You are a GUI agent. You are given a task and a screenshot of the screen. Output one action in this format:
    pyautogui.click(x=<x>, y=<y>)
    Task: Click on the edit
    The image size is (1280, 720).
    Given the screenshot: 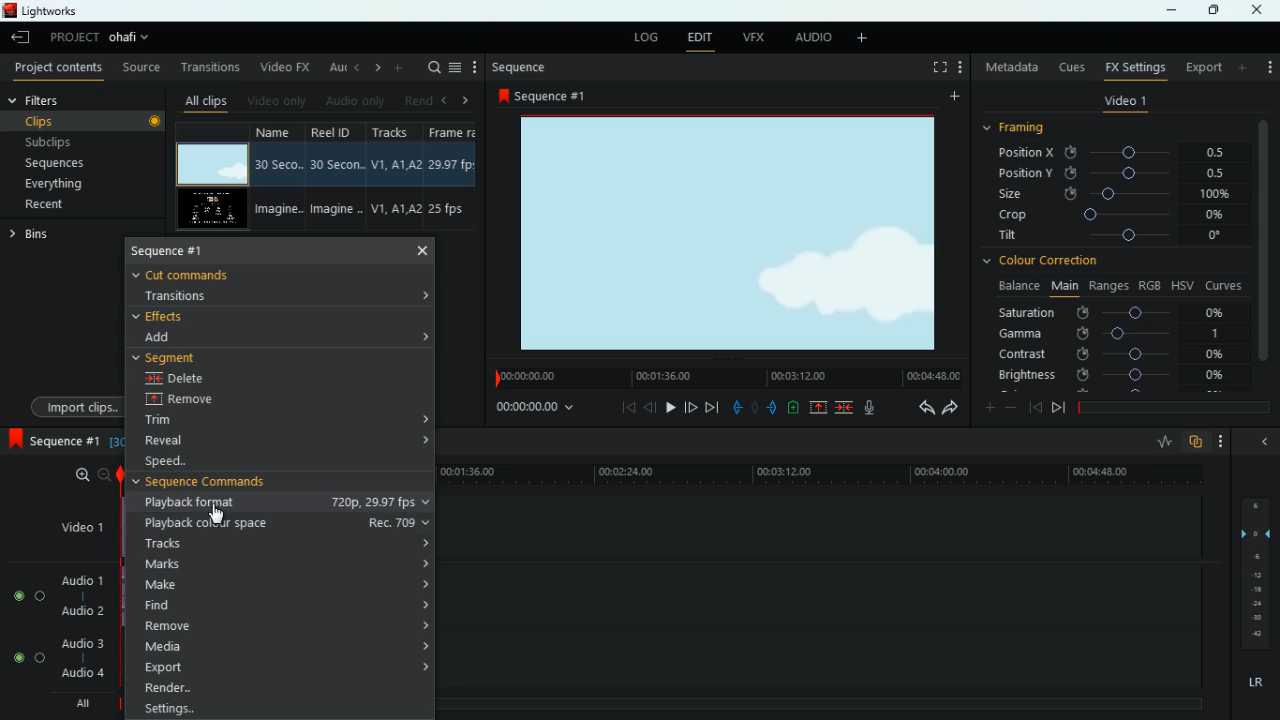 What is the action you would take?
    pyautogui.click(x=700, y=38)
    